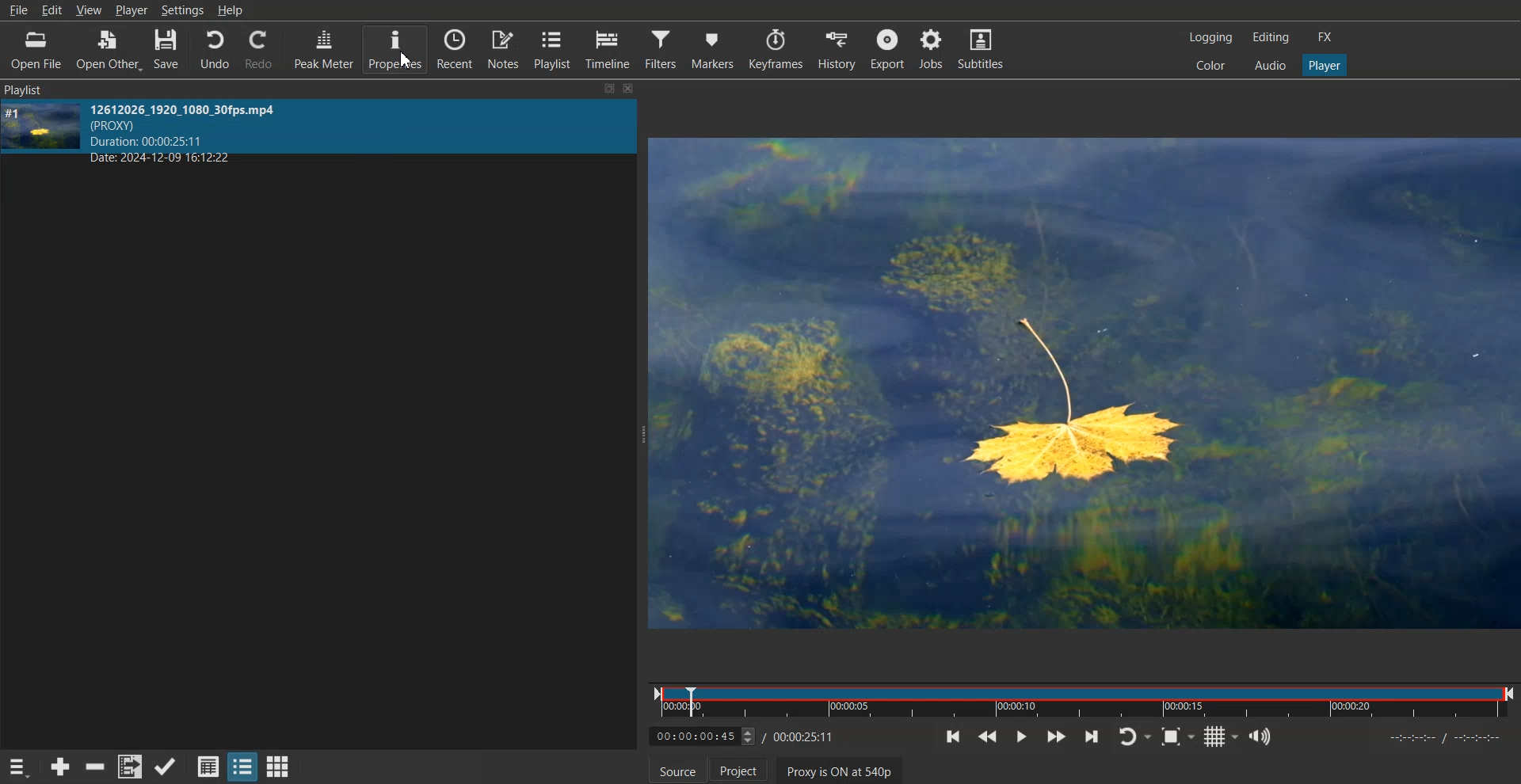  What do you see at coordinates (21, 767) in the screenshot?
I see `Playlist menu` at bounding box center [21, 767].